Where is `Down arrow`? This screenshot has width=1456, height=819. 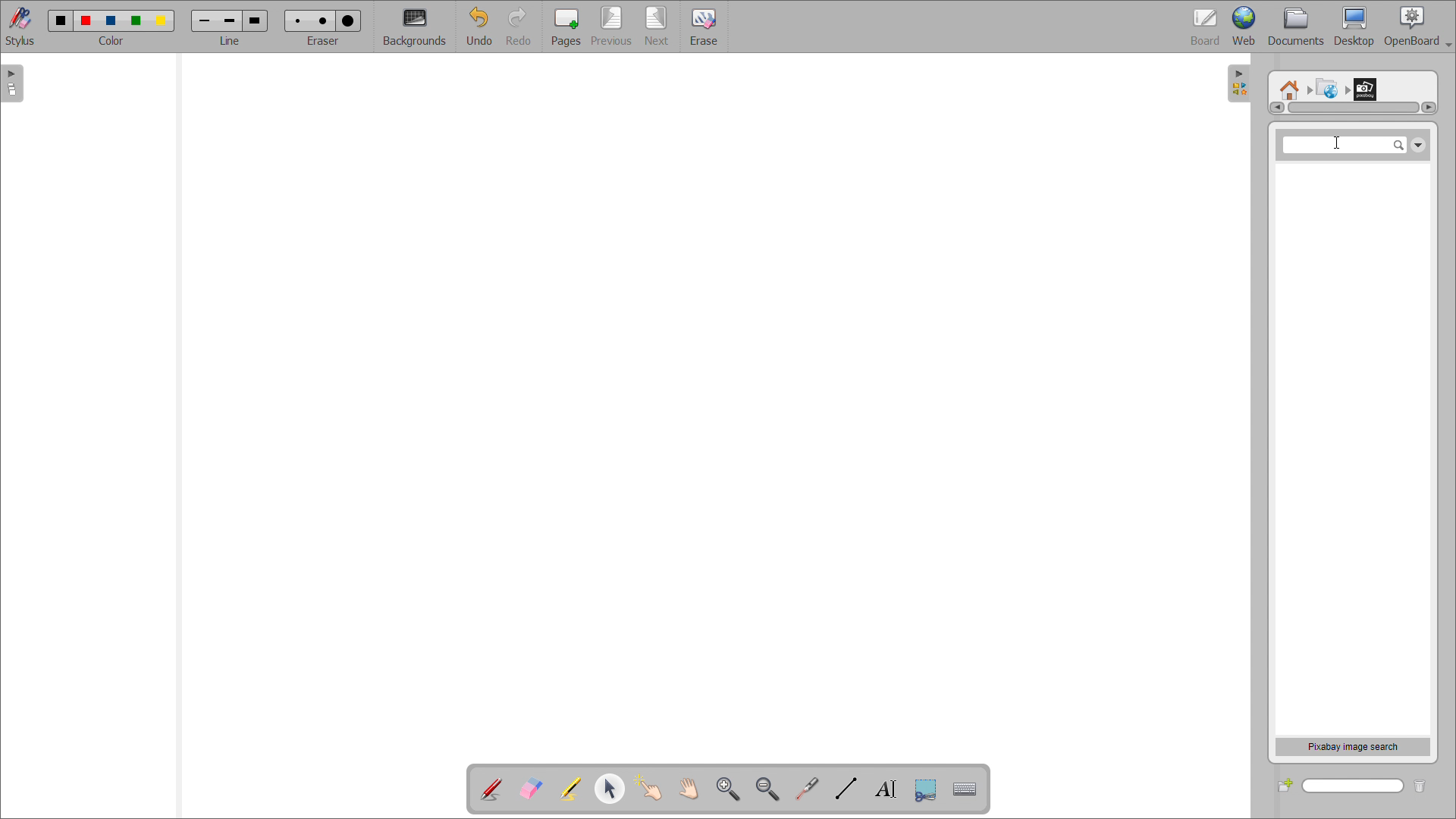
Down arrow is located at coordinates (1418, 143).